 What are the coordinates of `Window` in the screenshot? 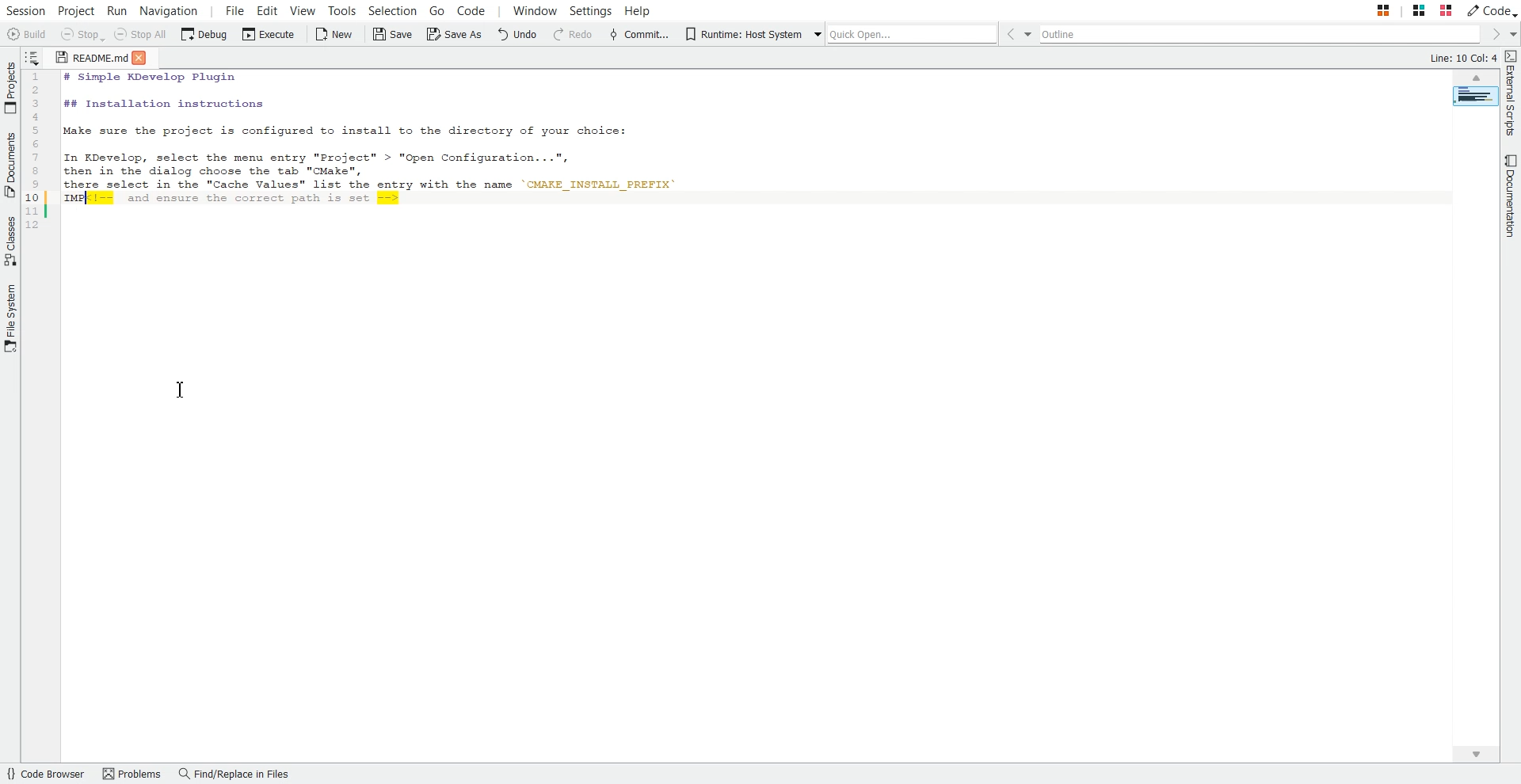 It's located at (535, 10).